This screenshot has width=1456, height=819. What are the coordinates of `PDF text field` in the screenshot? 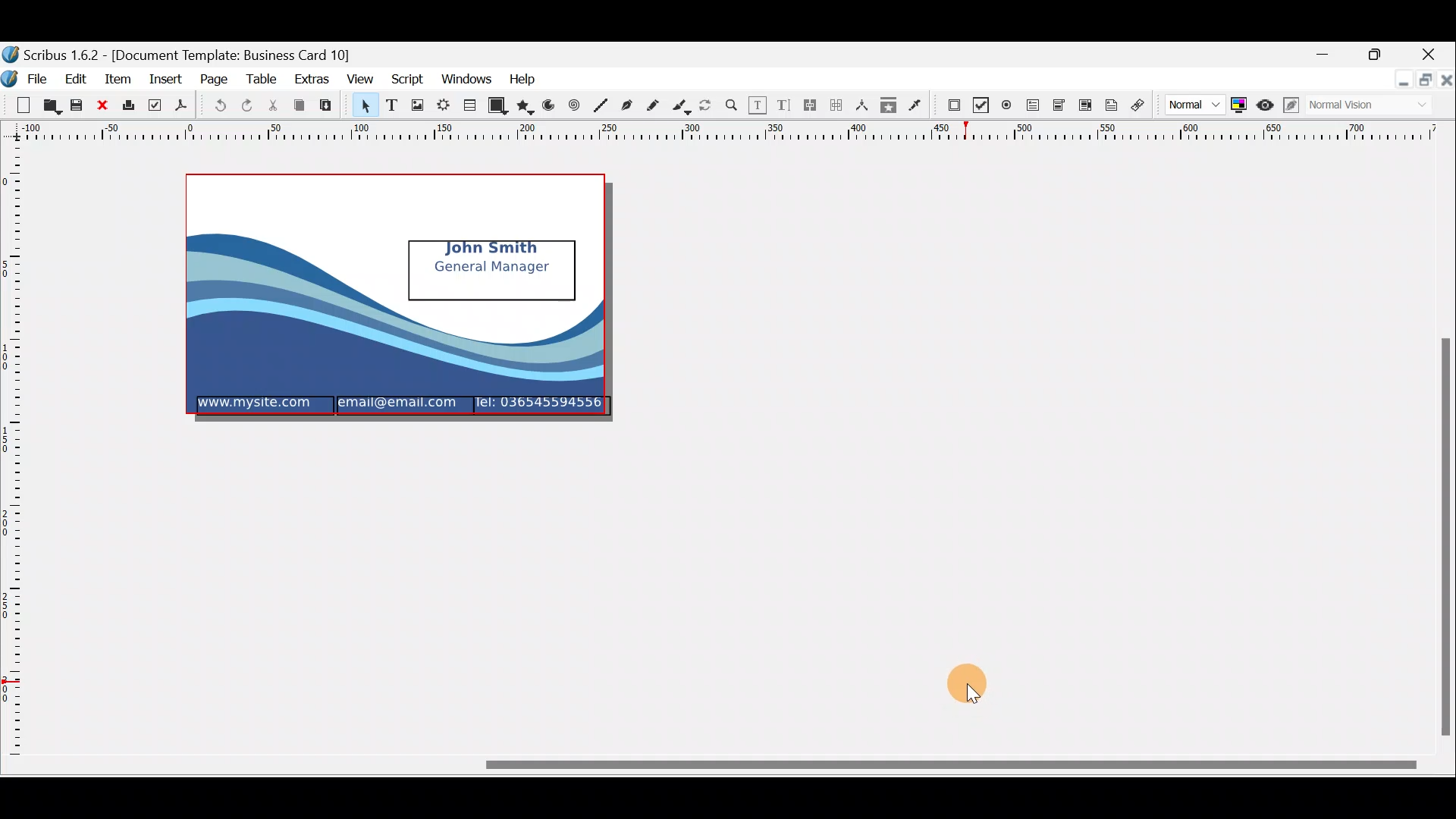 It's located at (1034, 107).